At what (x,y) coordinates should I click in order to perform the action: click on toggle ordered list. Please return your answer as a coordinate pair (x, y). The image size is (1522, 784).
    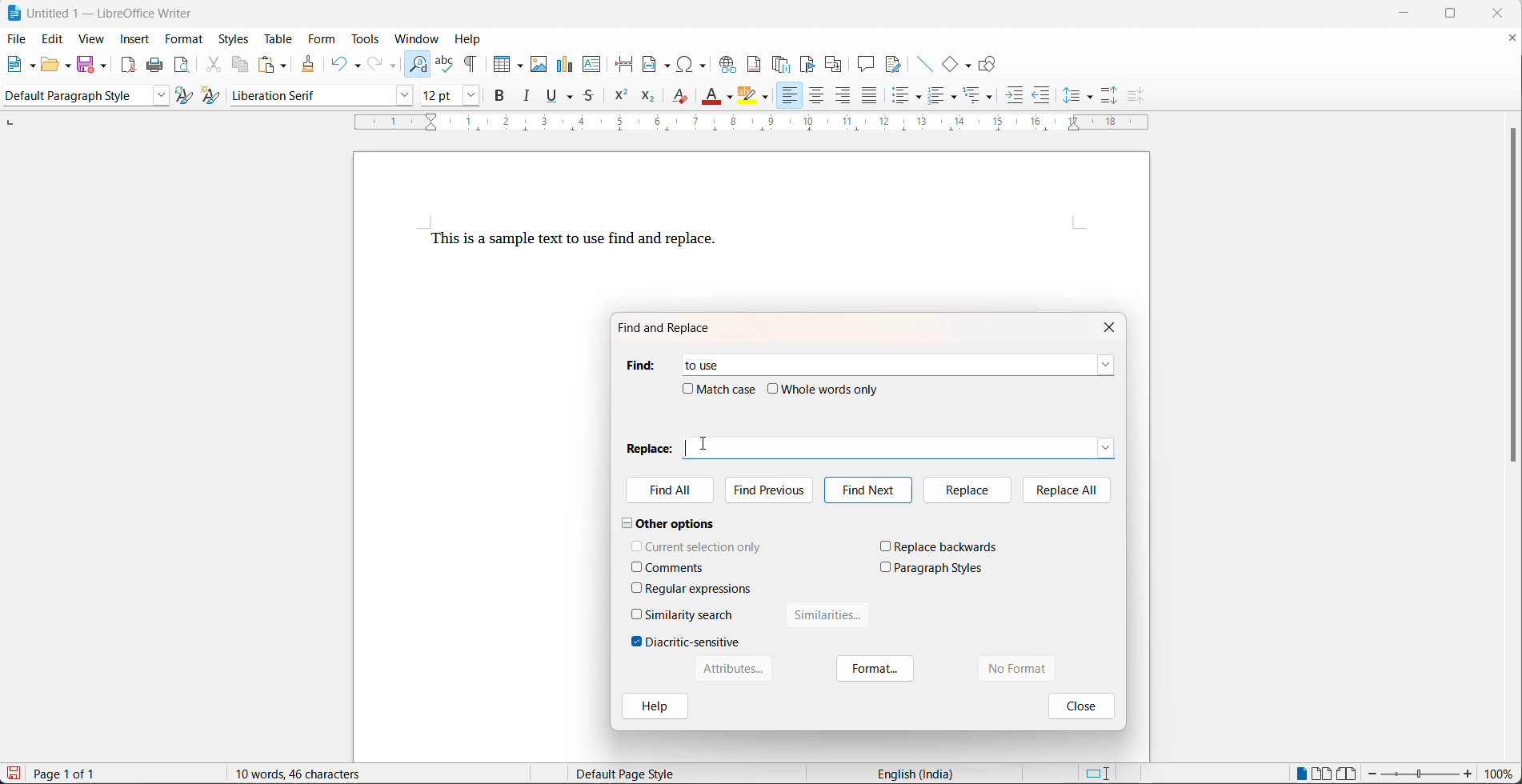
    Looking at the image, I should click on (938, 97).